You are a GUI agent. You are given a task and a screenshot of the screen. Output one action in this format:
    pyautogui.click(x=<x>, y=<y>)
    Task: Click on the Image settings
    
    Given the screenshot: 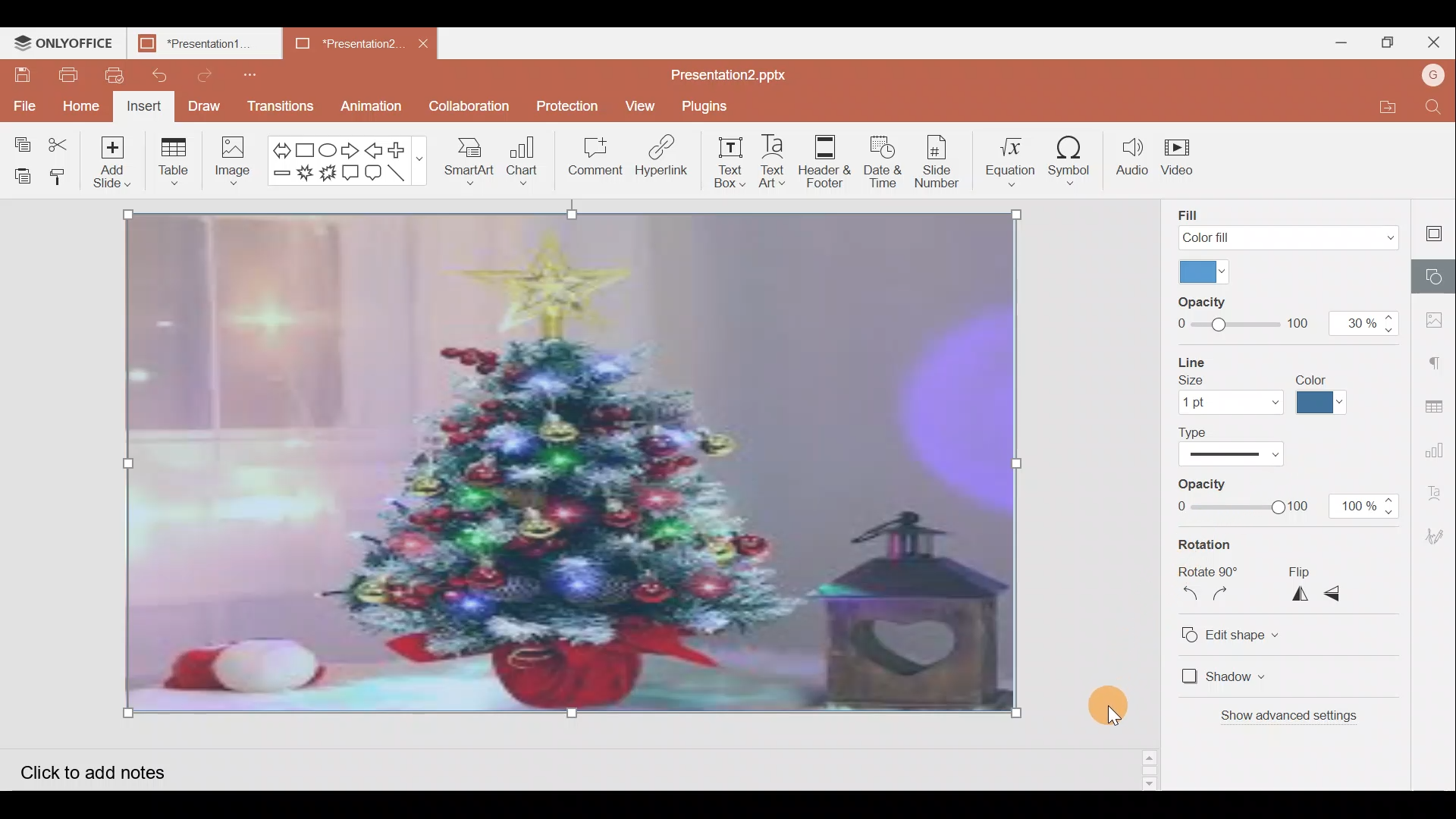 What is the action you would take?
    pyautogui.click(x=1439, y=320)
    